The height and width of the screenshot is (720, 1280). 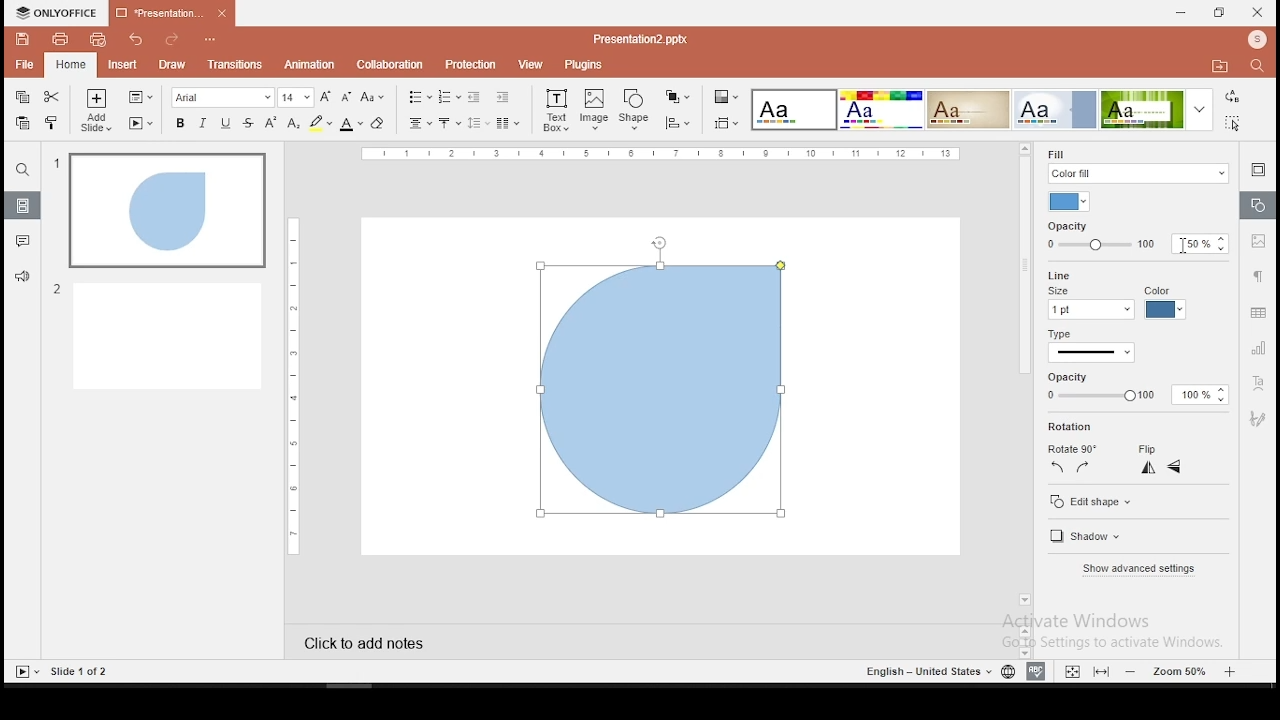 What do you see at coordinates (96, 112) in the screenshot?
I see `add slide` at bounding box center [96, 112].